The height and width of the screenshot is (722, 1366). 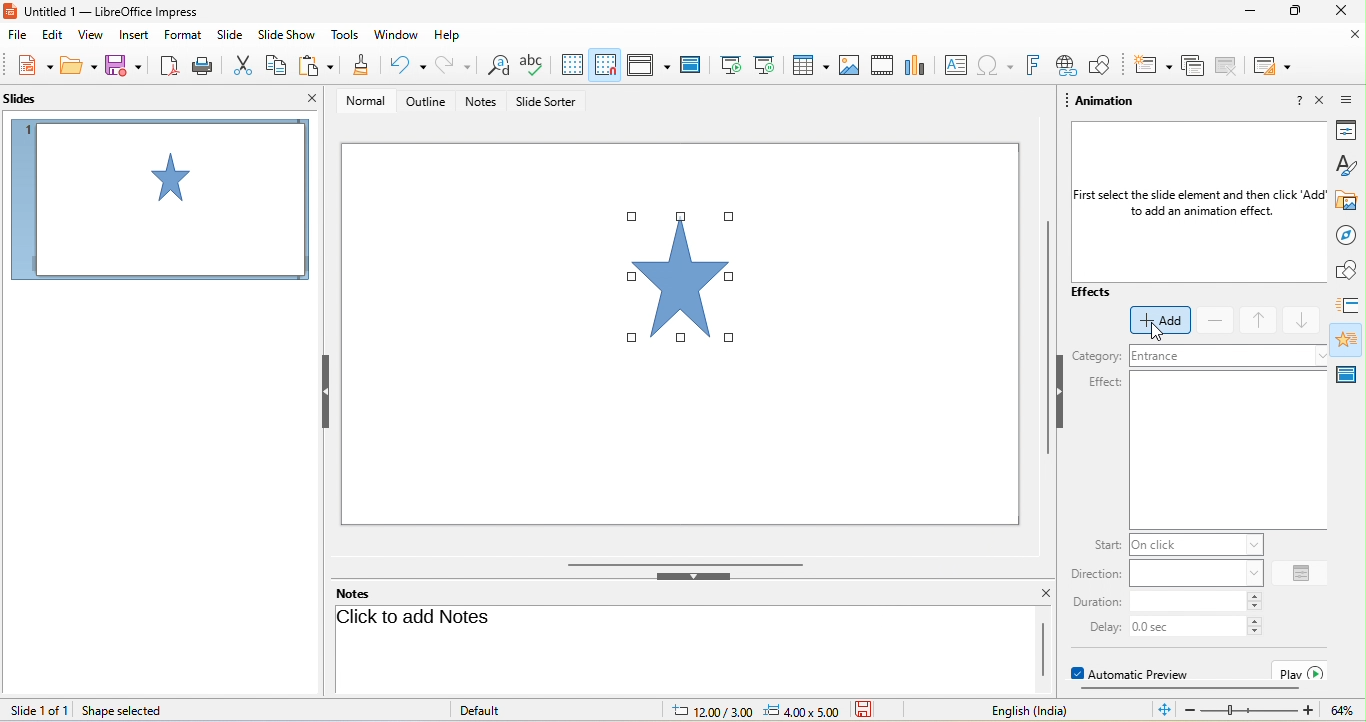 I want to click on normal, so click(x=369, y=104).